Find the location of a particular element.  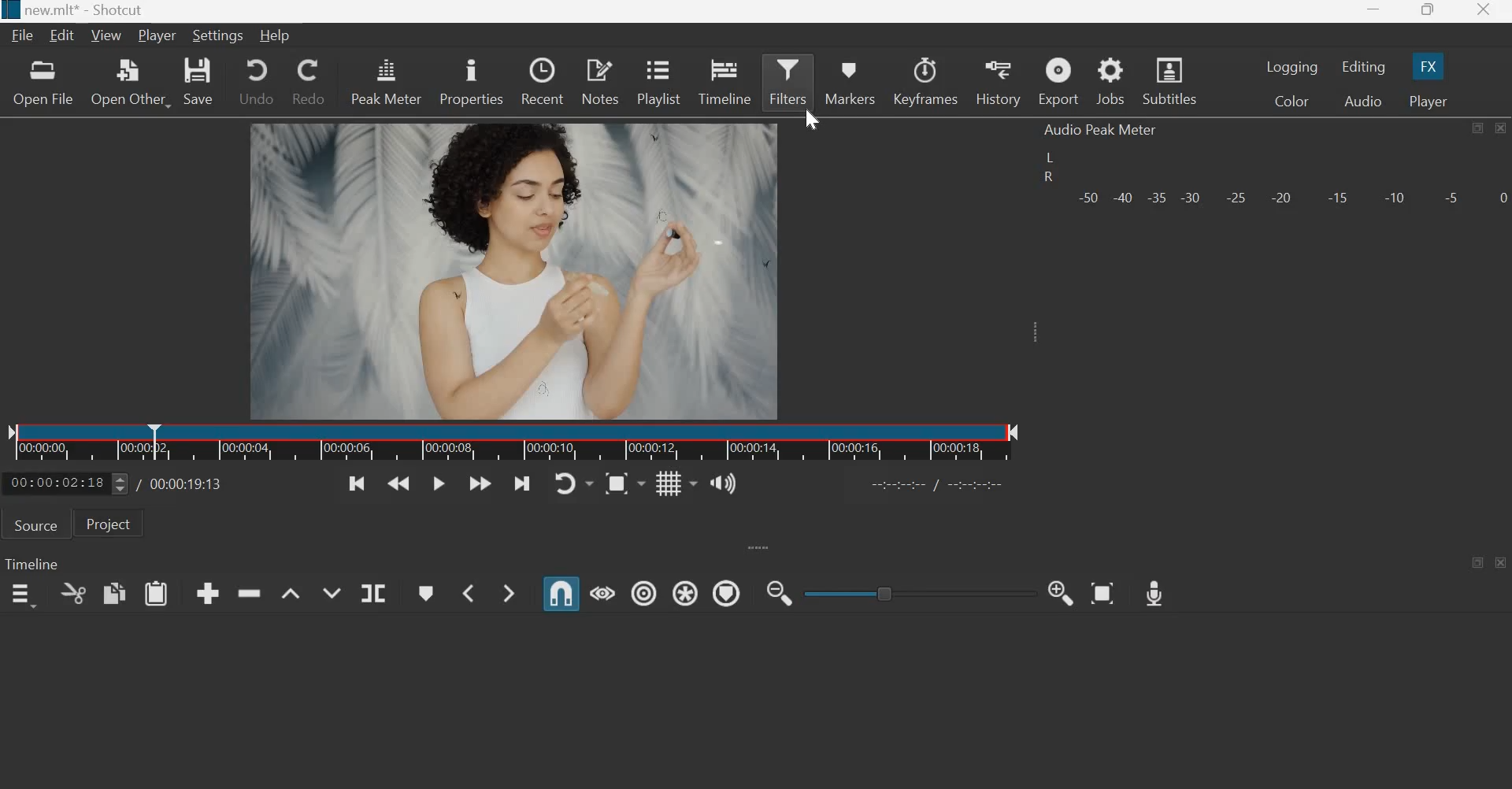

Export is located at coordinates (1058, 81).